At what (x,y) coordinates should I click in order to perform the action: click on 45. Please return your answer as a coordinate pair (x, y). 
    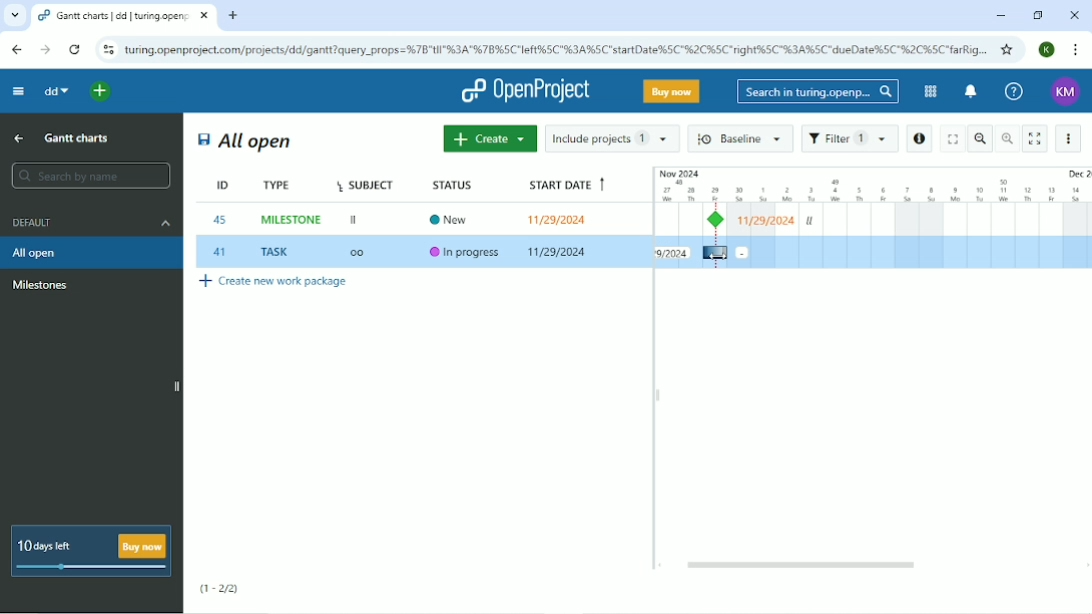
    Looking at the image, I should click on (221, 220).